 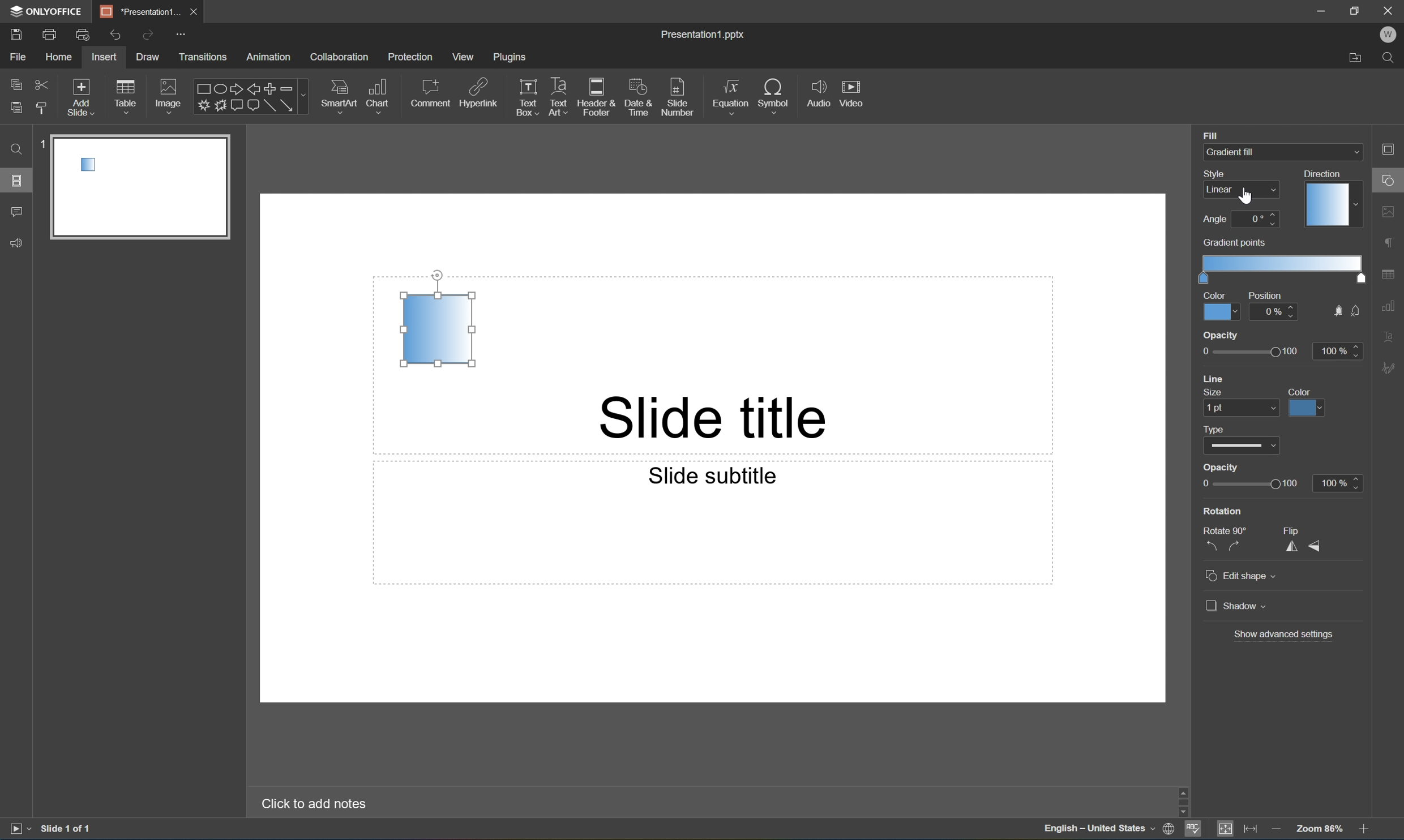 I want to click on Paragraph settings, so click(x=1391, y=243).